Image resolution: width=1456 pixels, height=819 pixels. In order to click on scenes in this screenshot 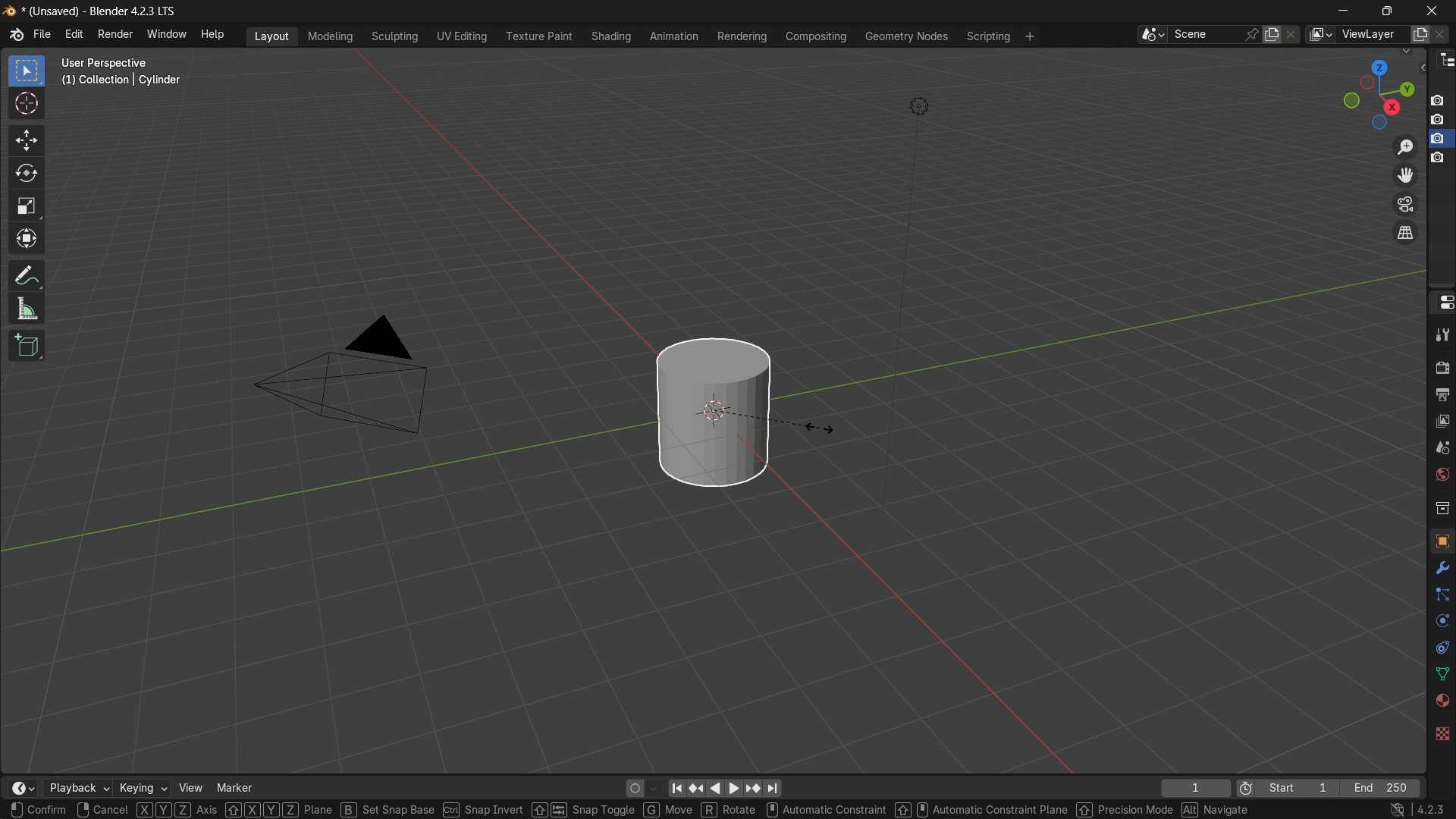, I will do `click(1442, 448)`.